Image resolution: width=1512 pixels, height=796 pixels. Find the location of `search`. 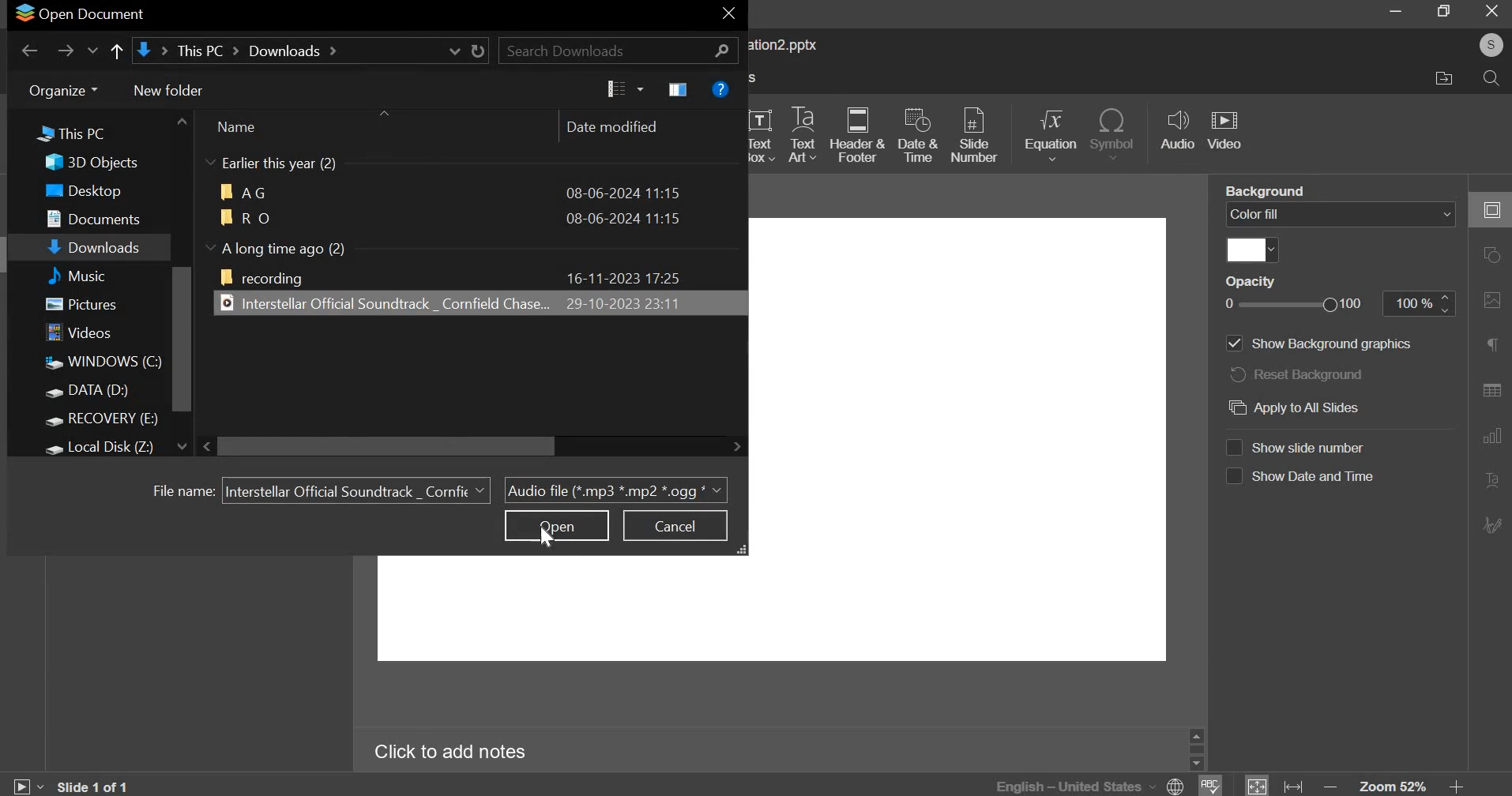

search is located at coordinates (618, 50).